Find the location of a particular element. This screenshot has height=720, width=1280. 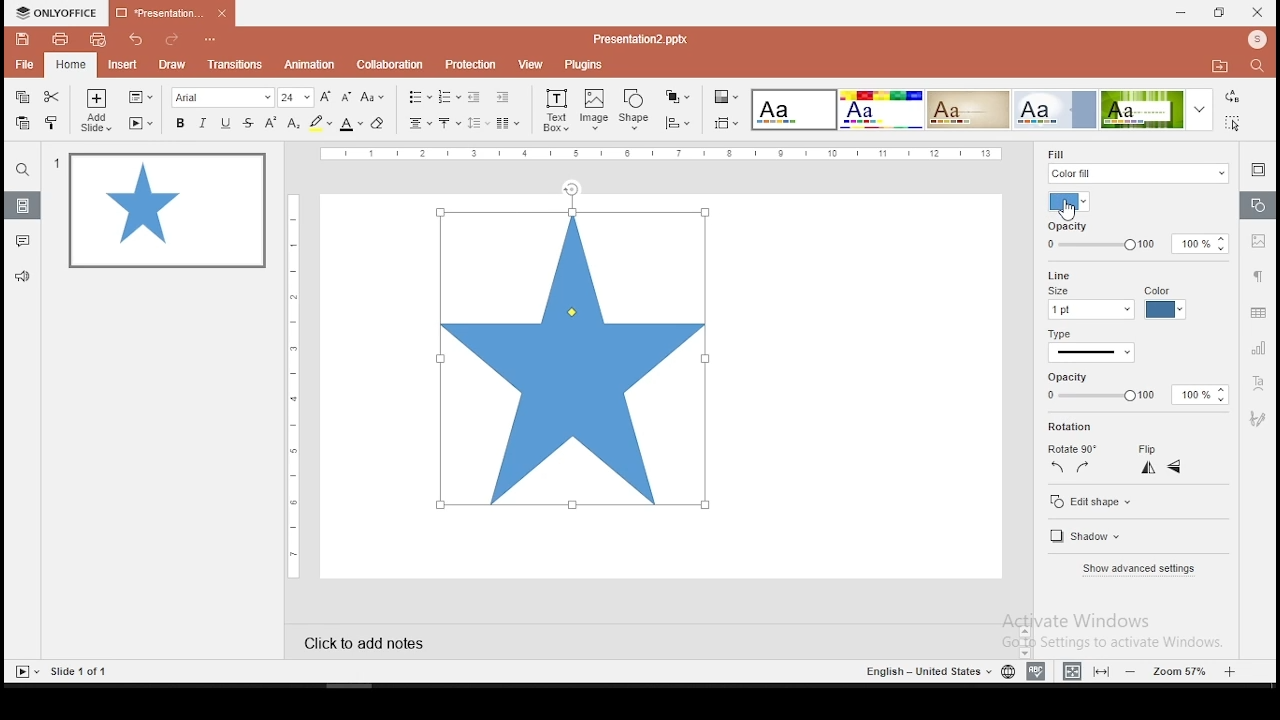

line color is located at coordinates (1167, 299).